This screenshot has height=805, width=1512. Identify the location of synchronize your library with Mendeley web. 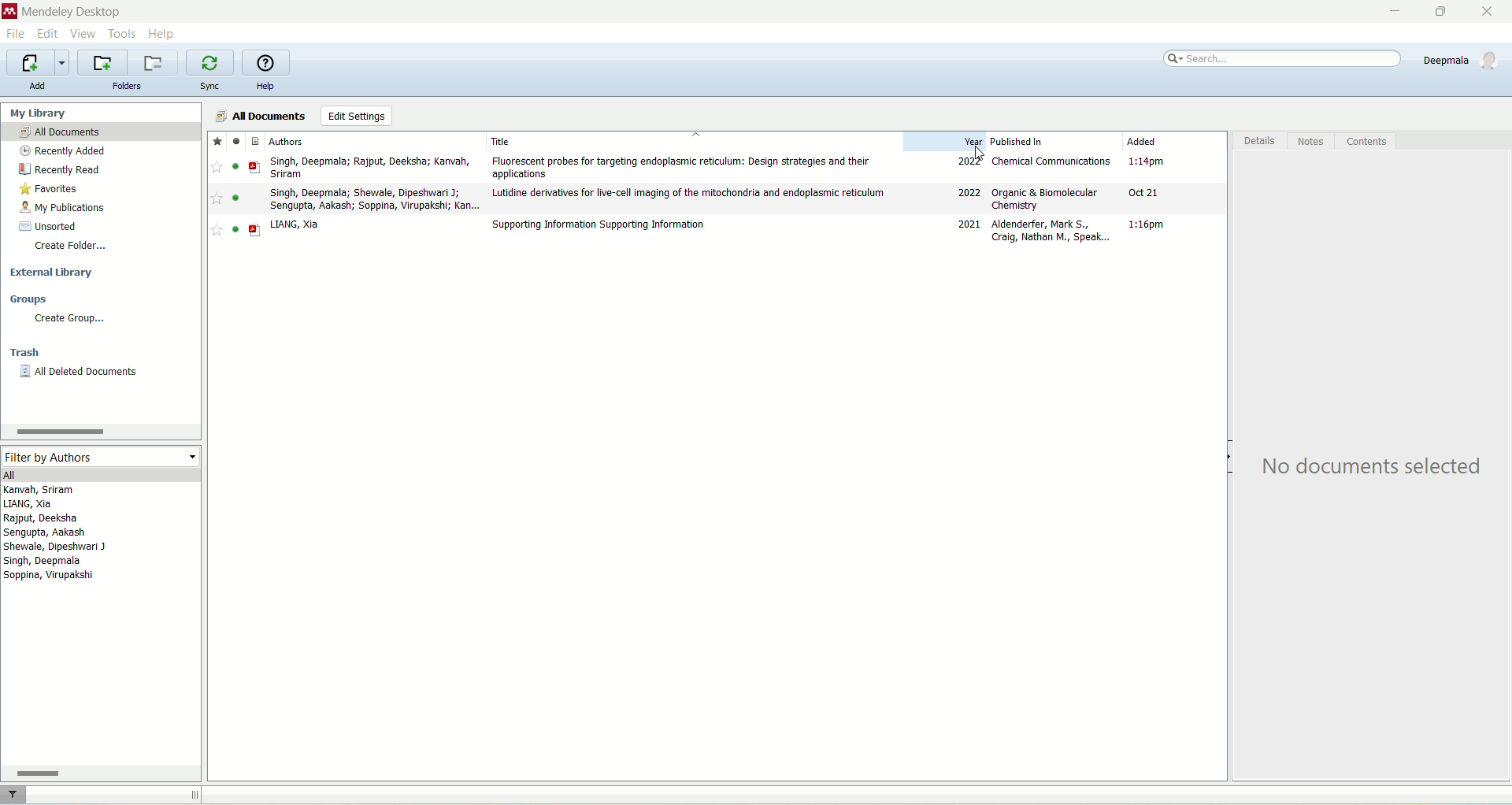
(209, 61).